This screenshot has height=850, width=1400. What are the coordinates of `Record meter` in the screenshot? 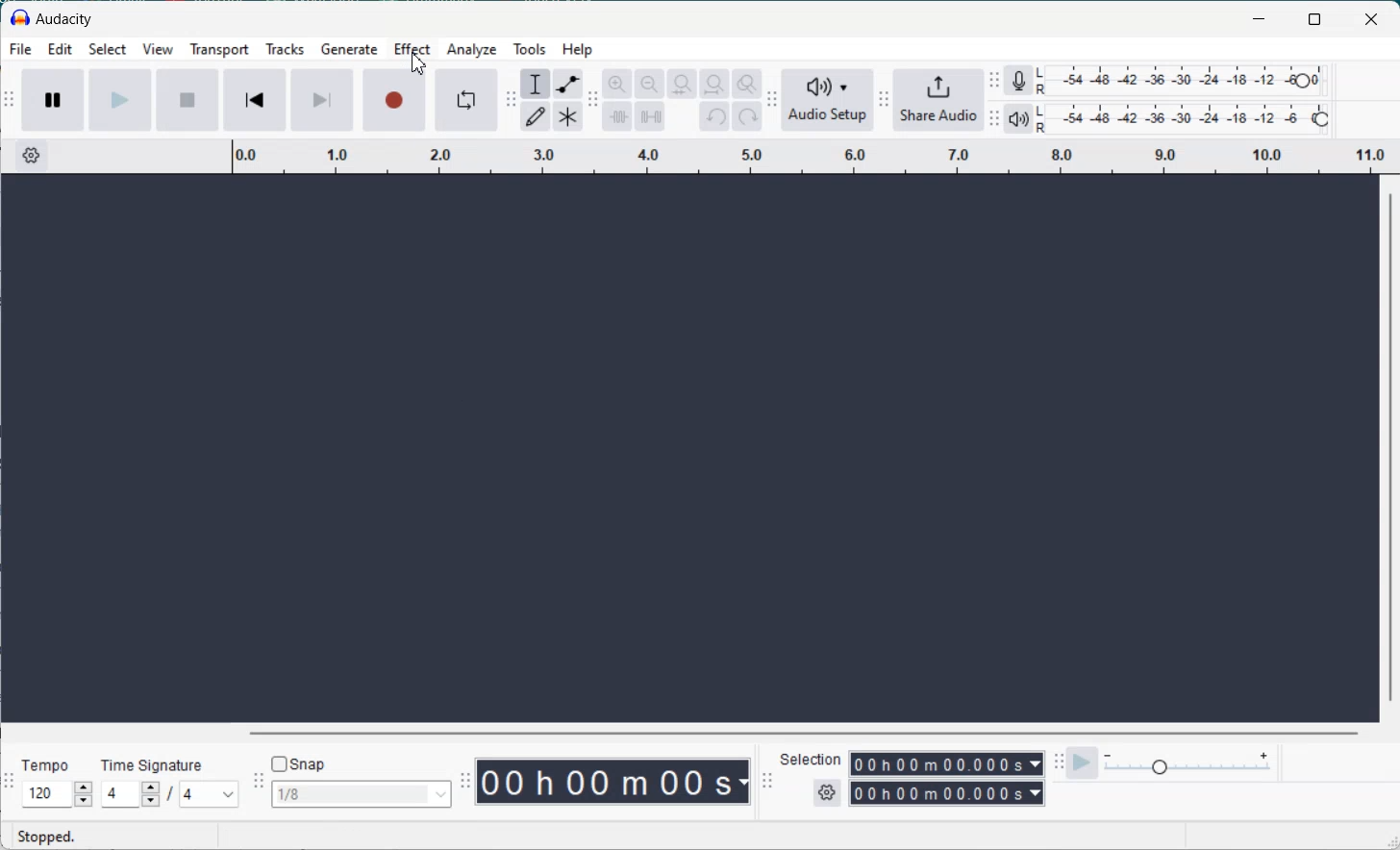 It's located at (1018, 79).